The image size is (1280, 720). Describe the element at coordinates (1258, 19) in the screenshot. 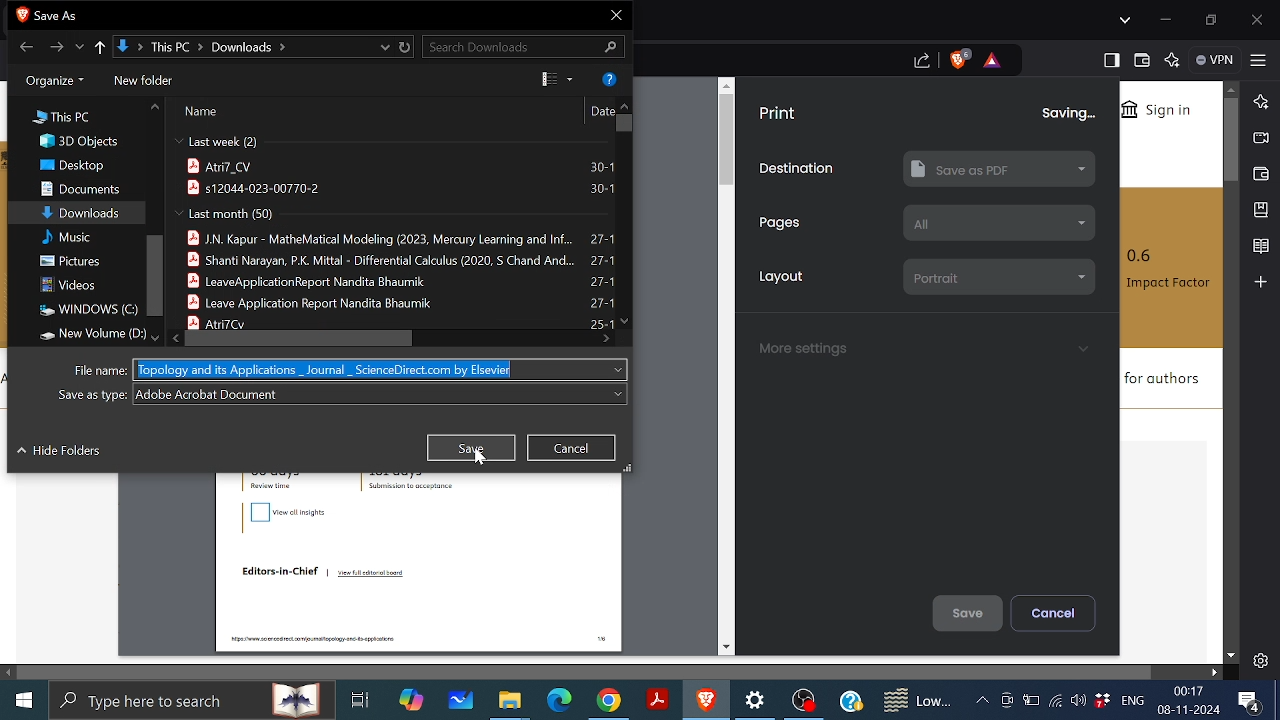

I see `Close` at that location.